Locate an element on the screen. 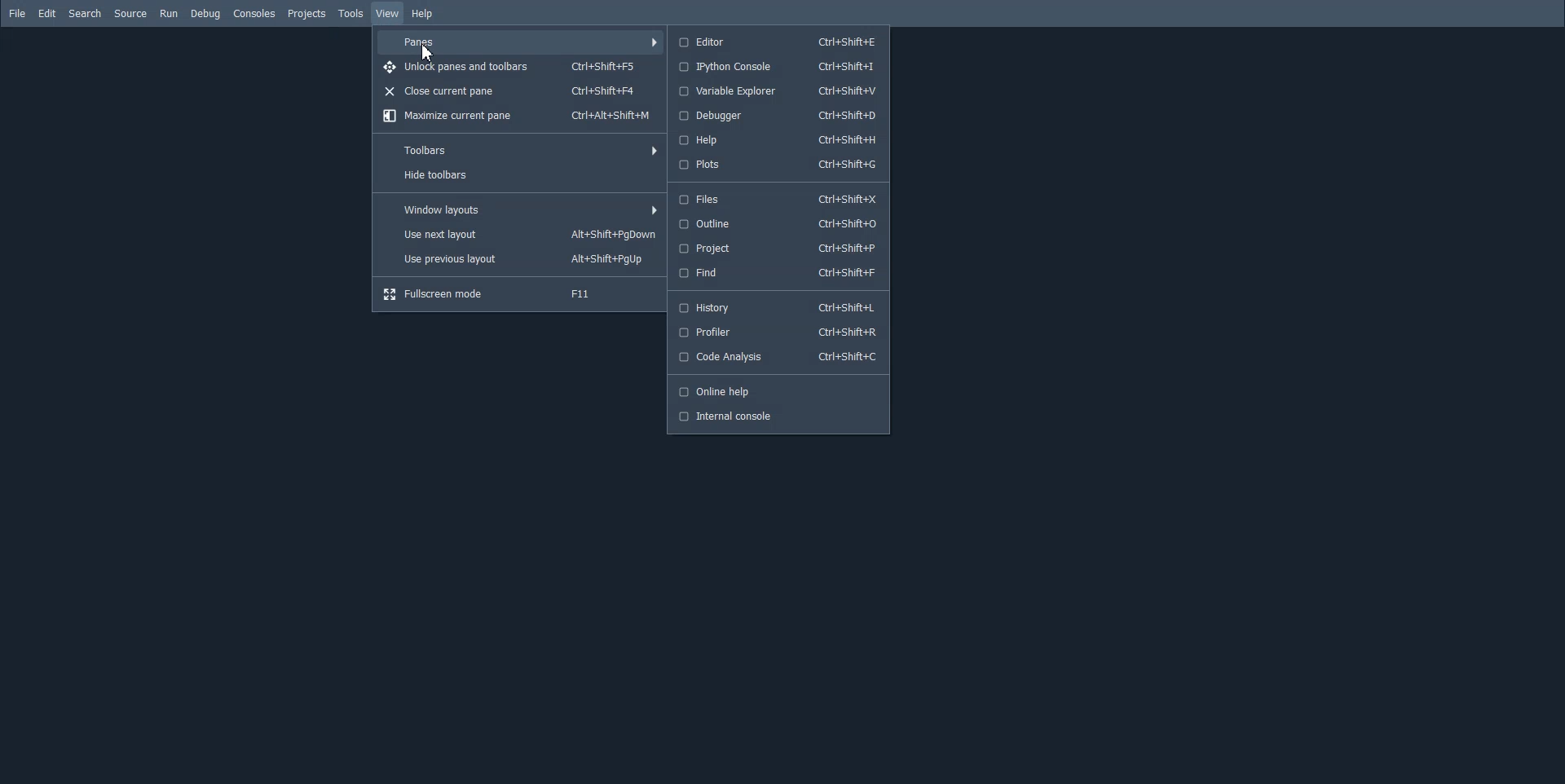  Window layout is located at coordinates (521, 210).